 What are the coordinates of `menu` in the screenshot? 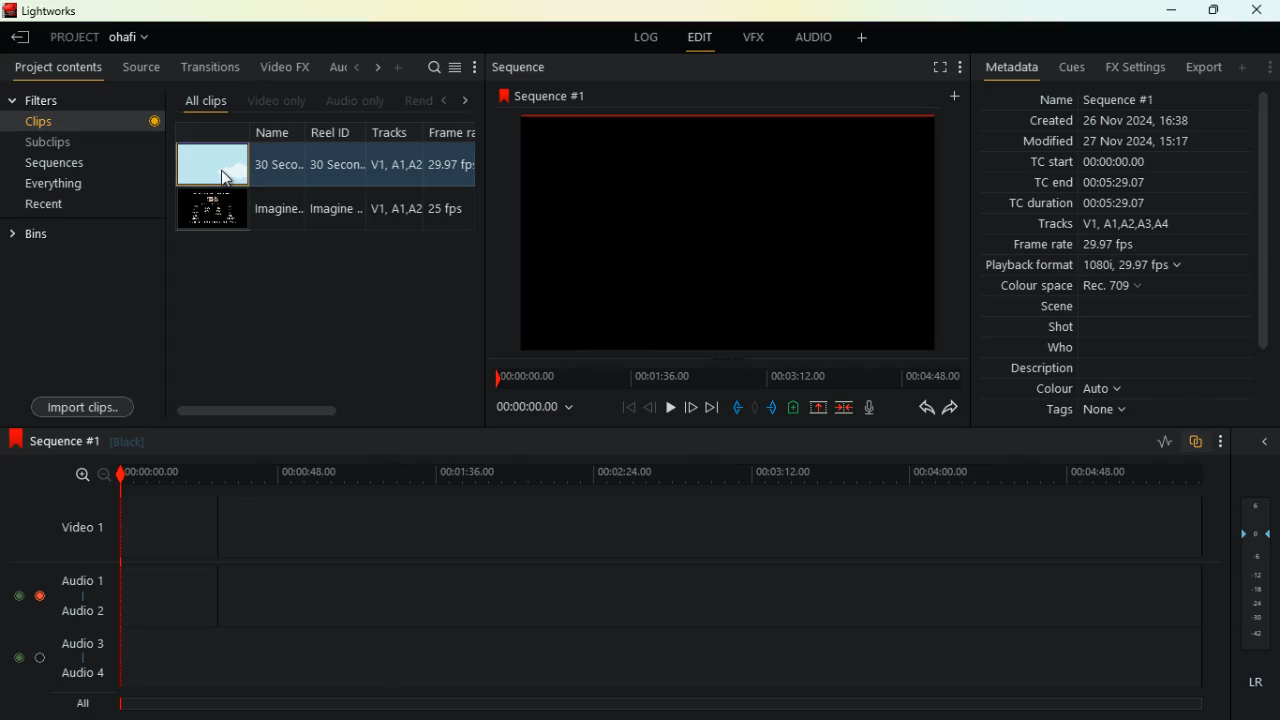 It's located at (455, 69).